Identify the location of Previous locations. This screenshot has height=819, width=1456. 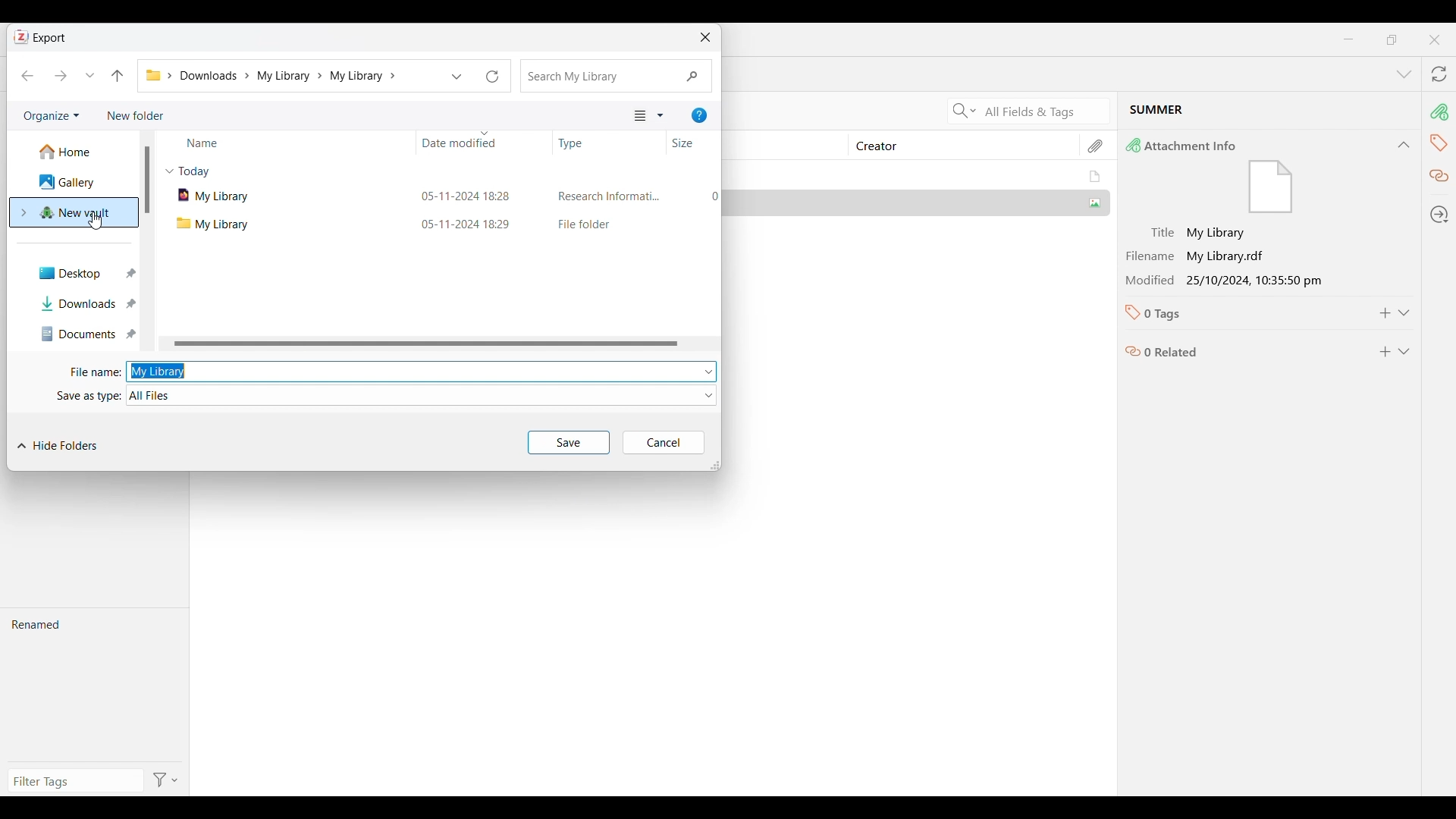
(457, 76).